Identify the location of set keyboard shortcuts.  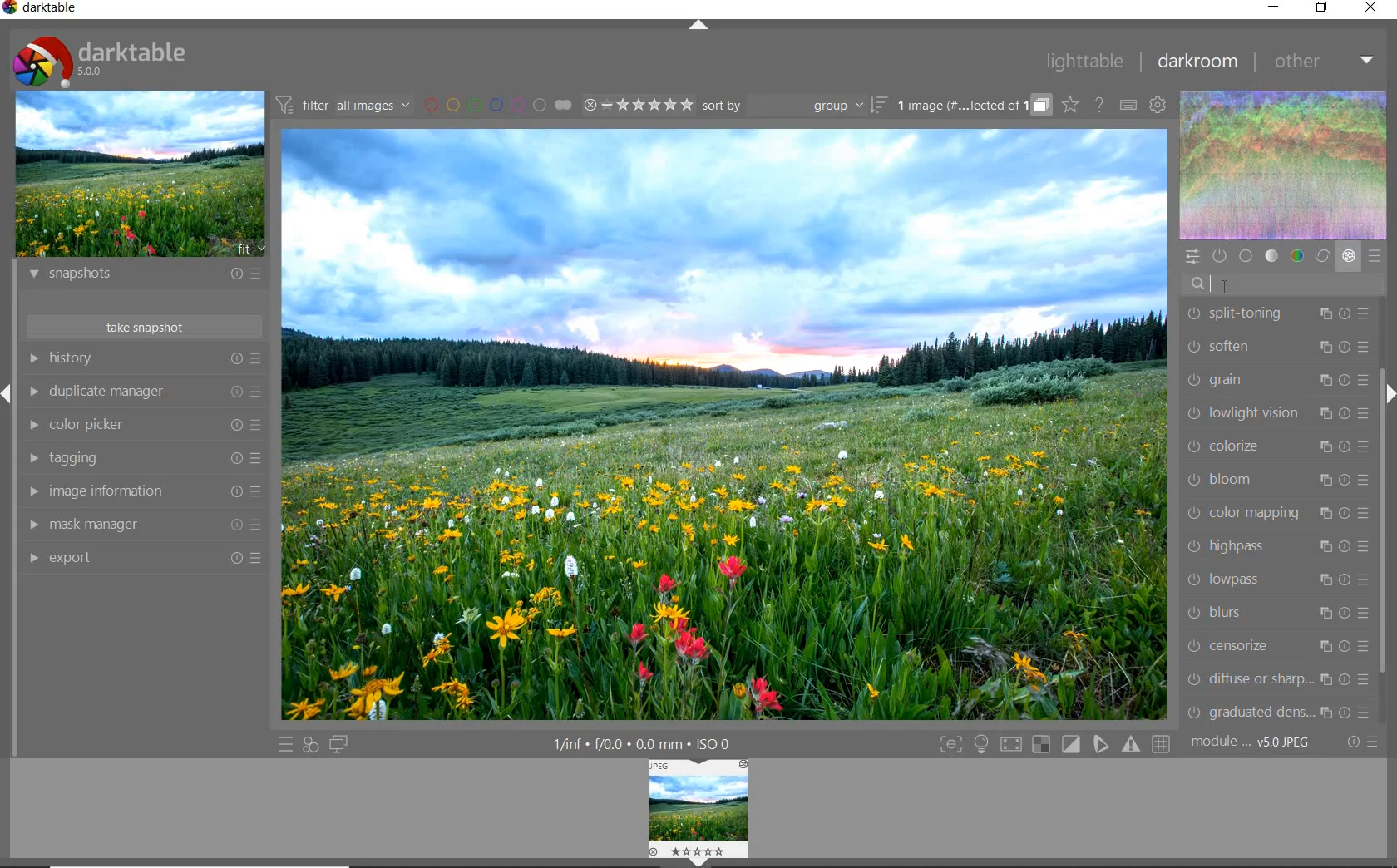
(1127, 106).